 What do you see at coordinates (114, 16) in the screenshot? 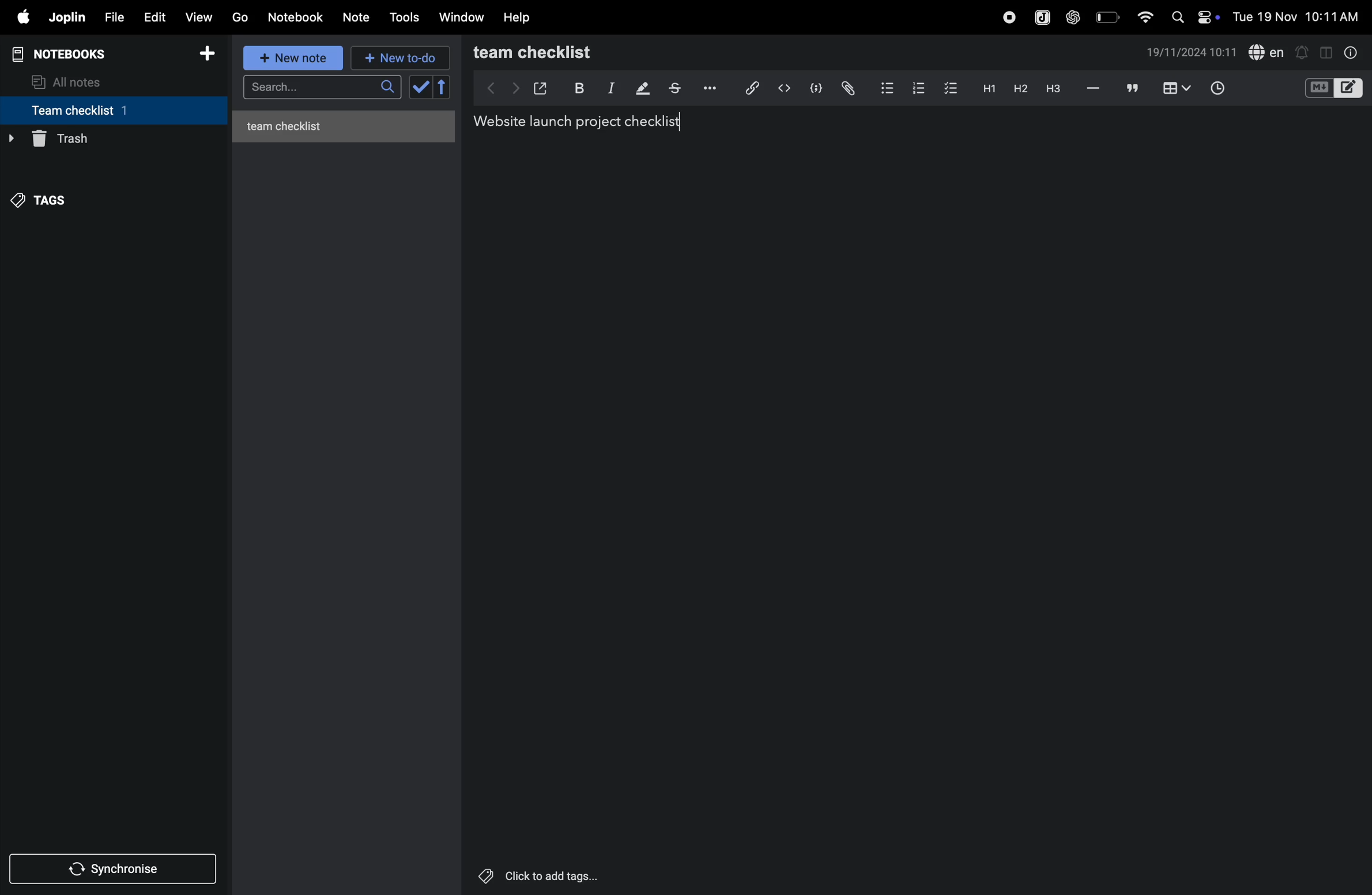
I see `file` at bounding box center [114, 16].